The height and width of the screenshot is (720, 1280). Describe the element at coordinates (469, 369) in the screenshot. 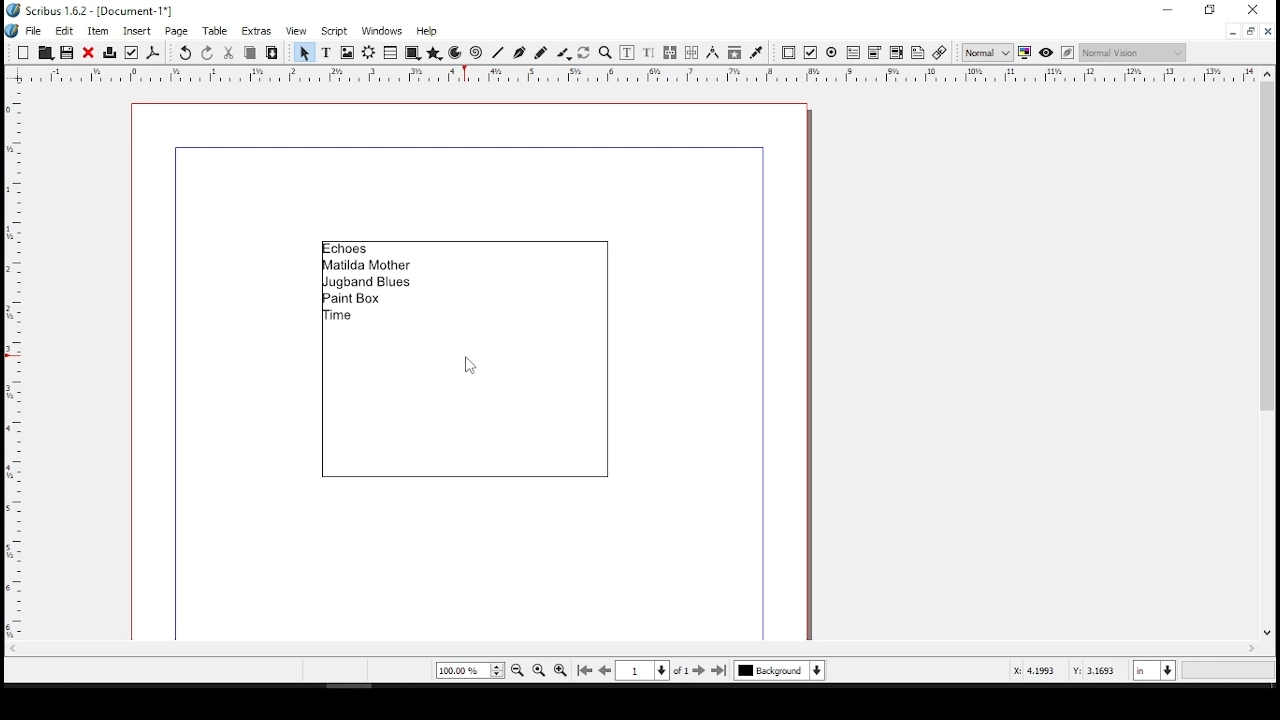

I see `mouse pointer` at that location.